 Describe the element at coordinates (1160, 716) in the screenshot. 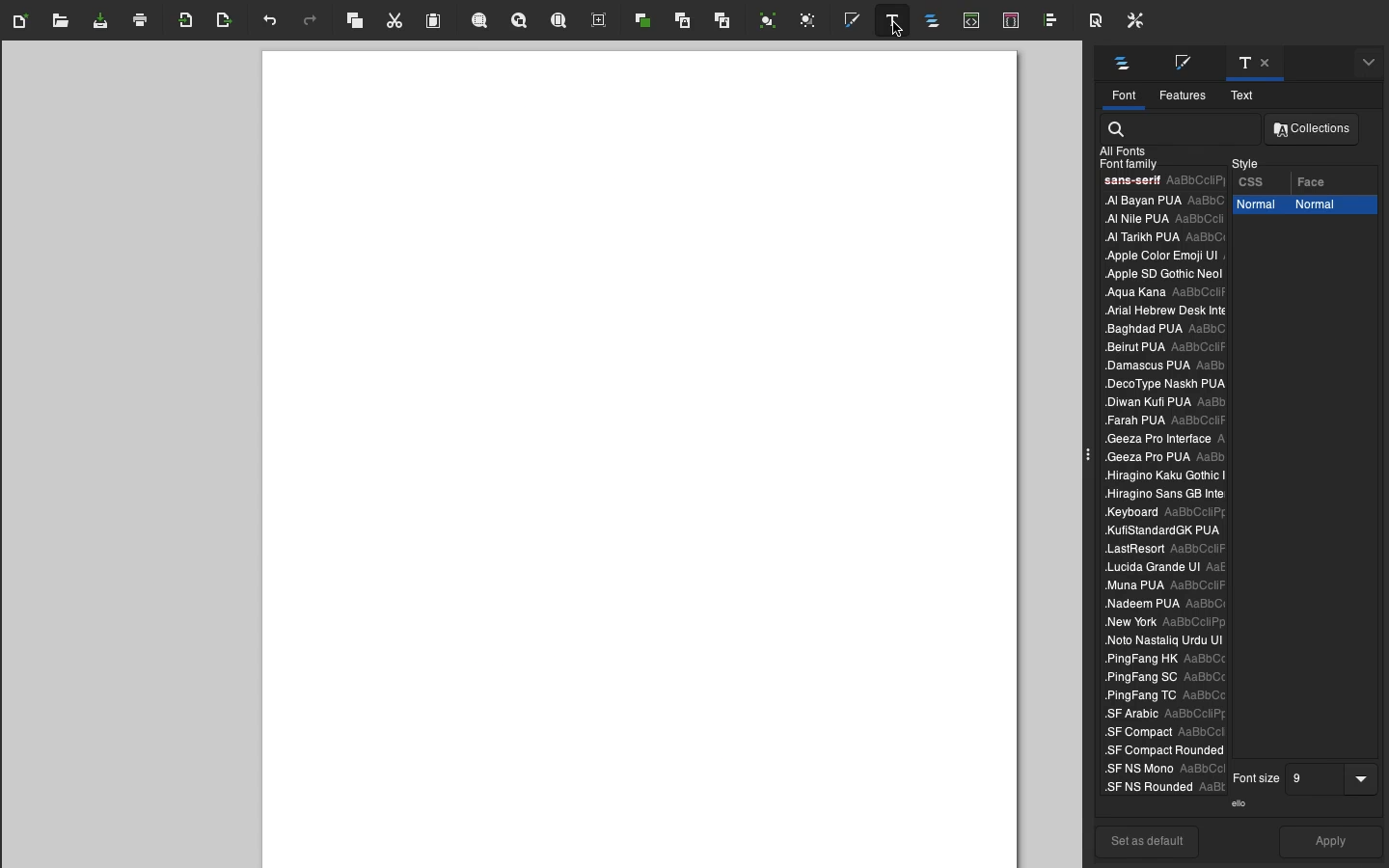

I see `.SF Arabic` at that location.